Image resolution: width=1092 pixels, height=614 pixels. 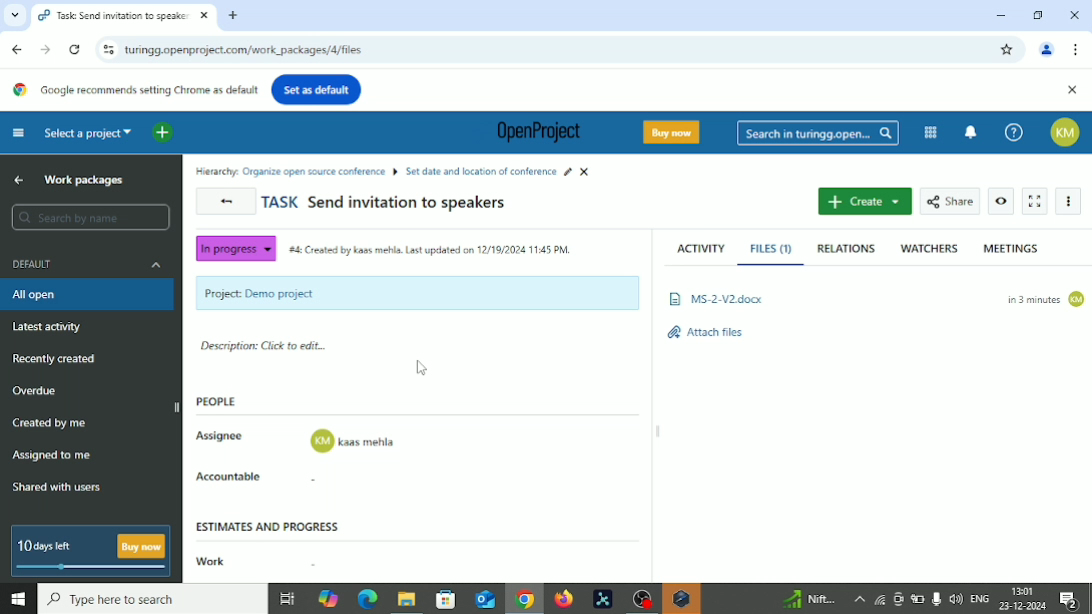 What do you see at coordinates (999, 15) in the screenshot?
I see `Minimize` at bounding box center [999, 15].